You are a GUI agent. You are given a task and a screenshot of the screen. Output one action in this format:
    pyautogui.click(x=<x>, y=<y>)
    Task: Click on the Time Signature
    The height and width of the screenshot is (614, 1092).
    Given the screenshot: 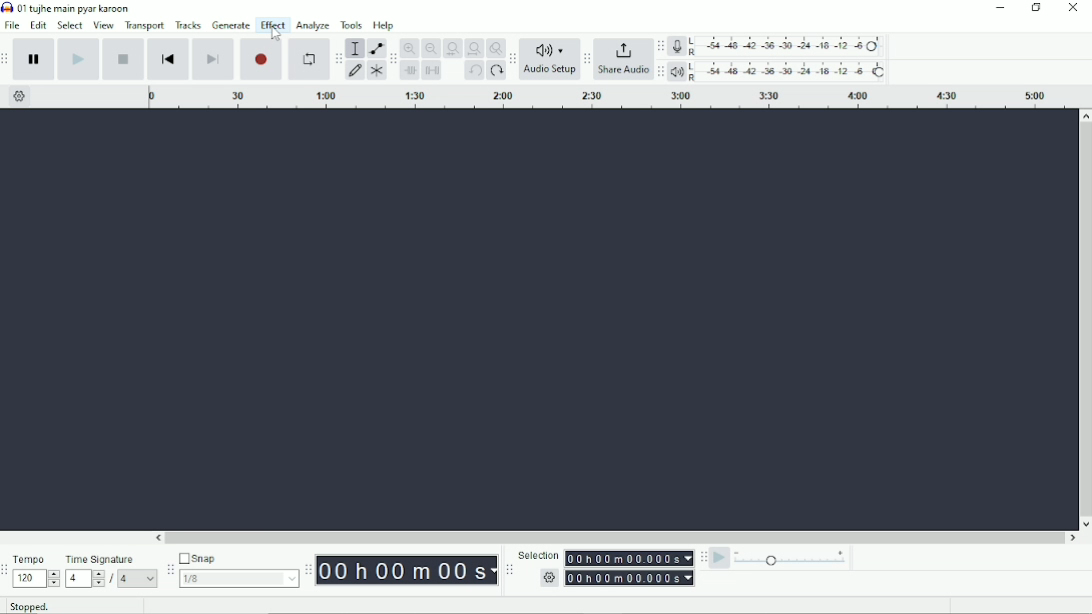 What is the action you would take?
    pyautogui.click(x=111, y=570)
    